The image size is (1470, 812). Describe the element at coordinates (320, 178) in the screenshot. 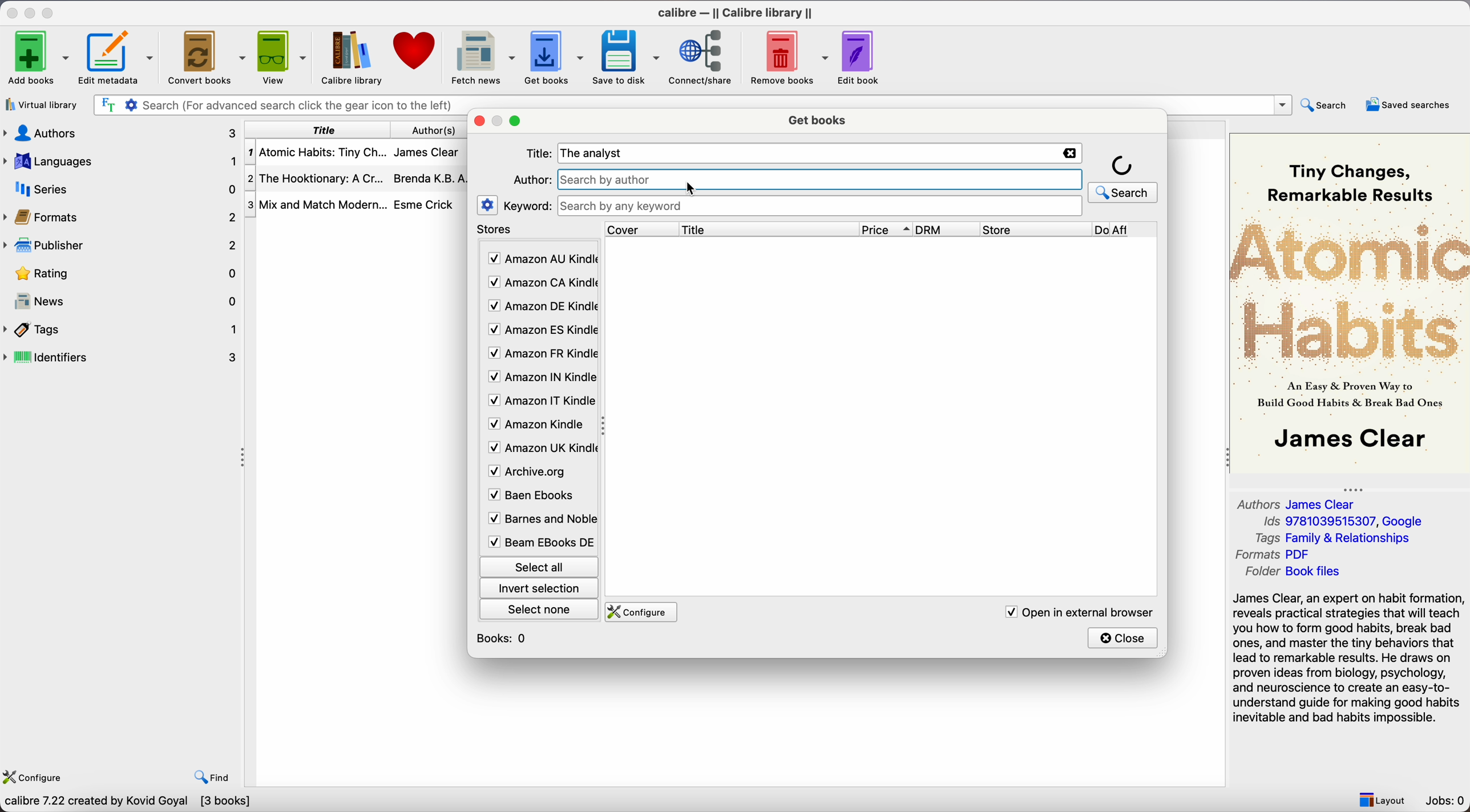

I see `The Hooktionary: A Cr...` at that location.